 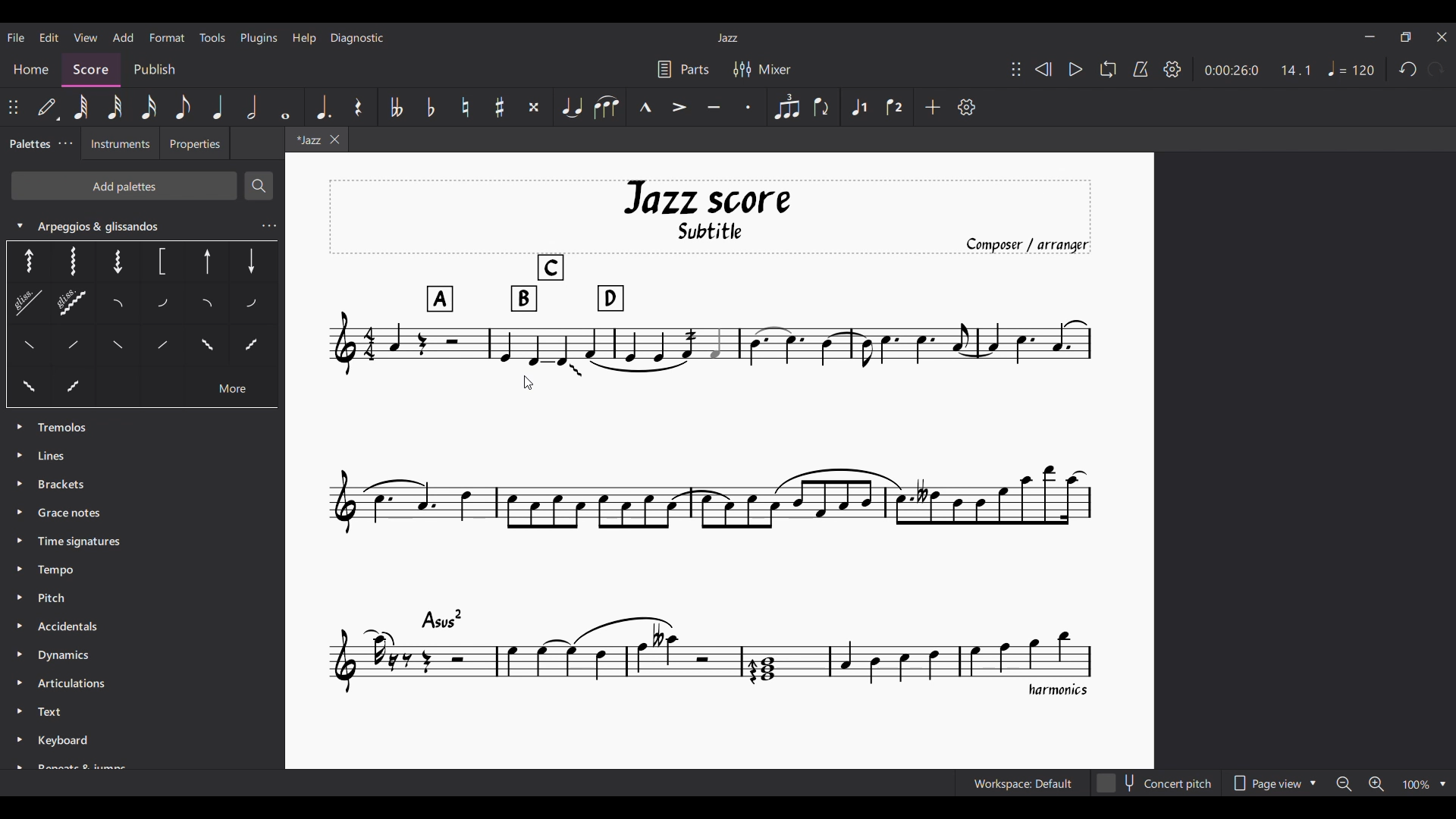 I want to click on Add menu, so click(x=124, y=37).